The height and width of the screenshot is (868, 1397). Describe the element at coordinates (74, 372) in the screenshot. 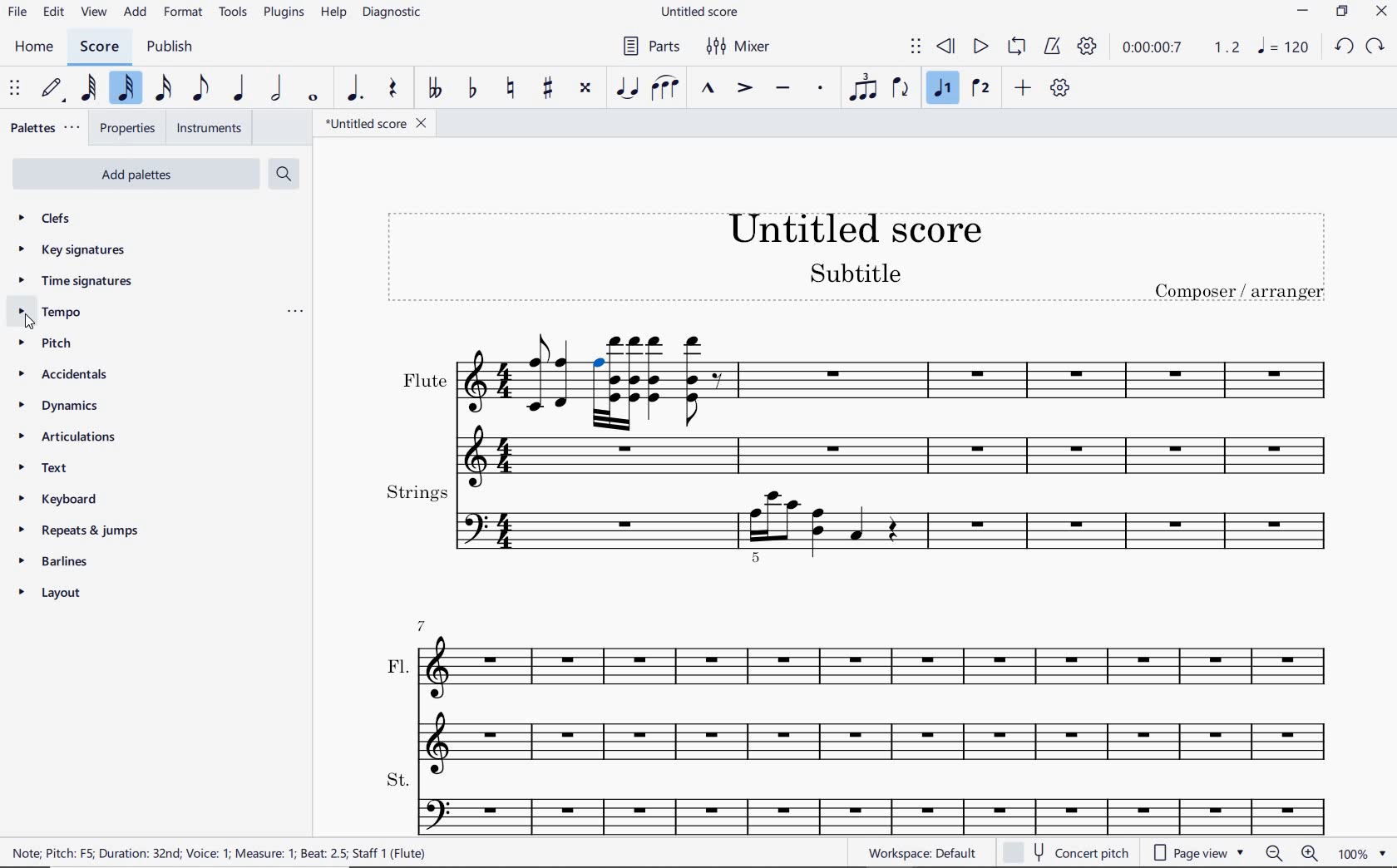

I see `accidentals` at that location.